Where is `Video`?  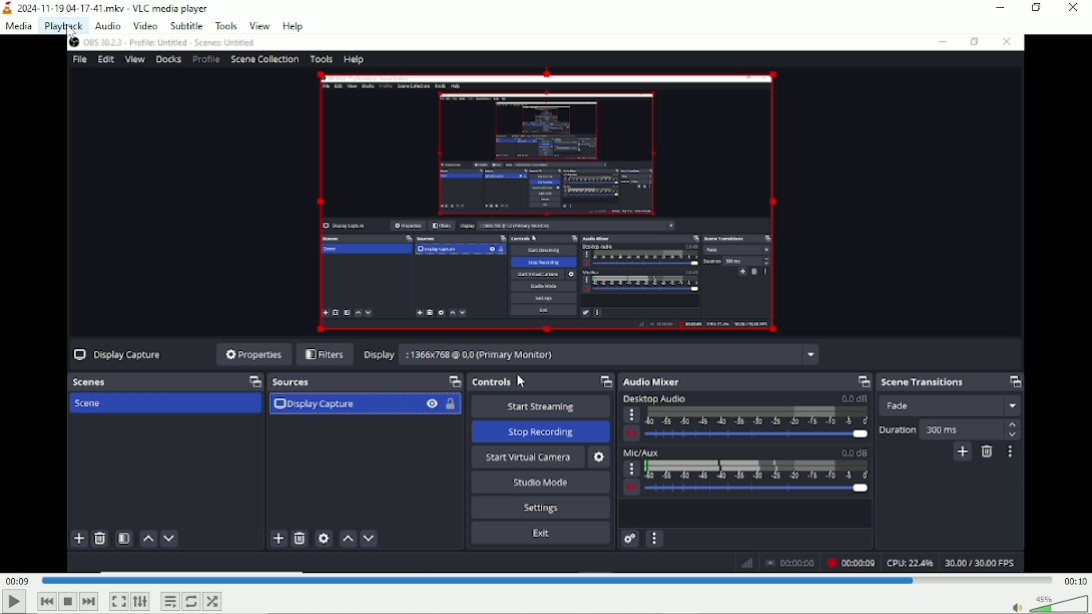
Video is located at coordinates (144, 25).